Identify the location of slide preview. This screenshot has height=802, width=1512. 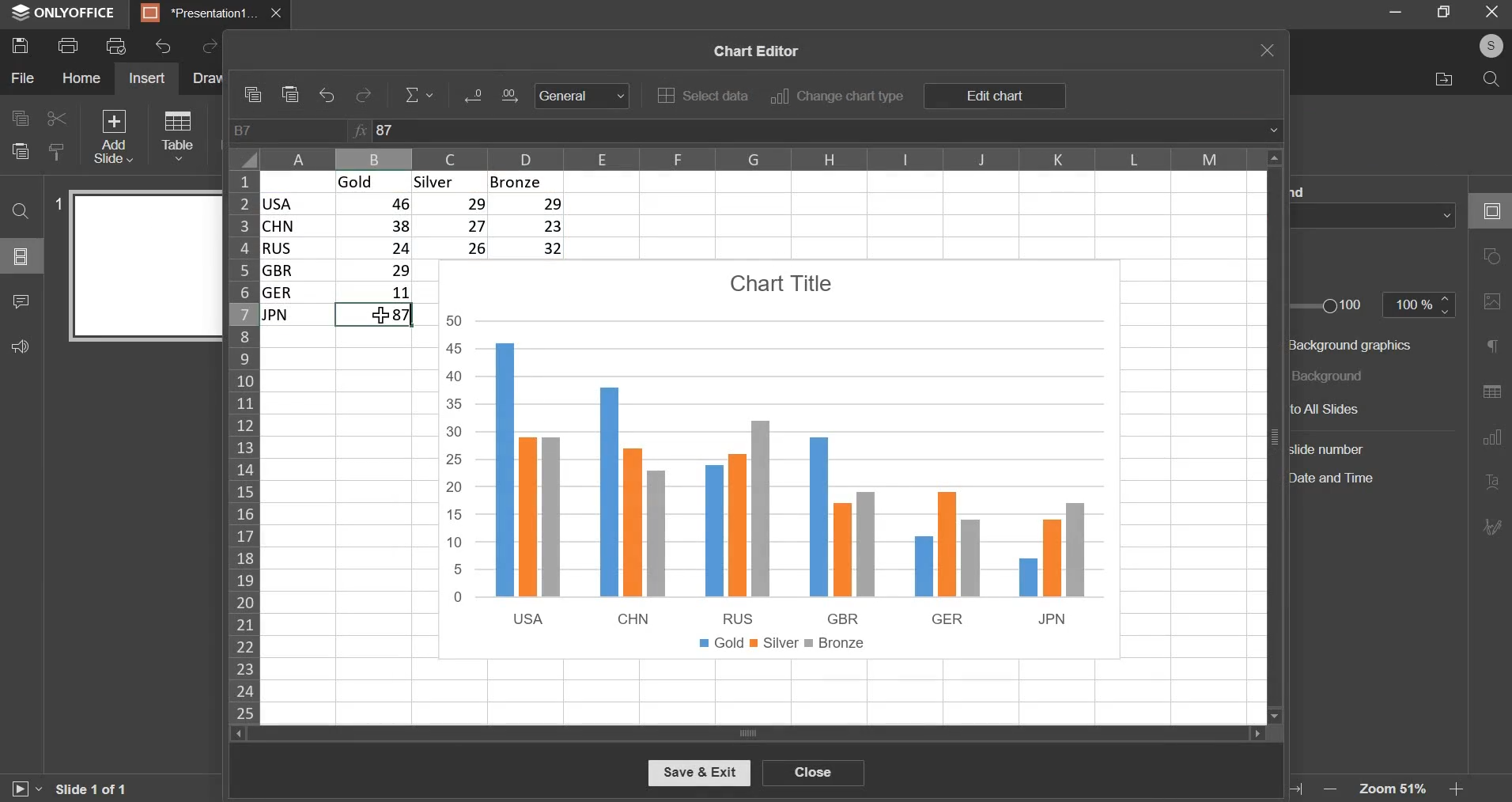
(145, 267).